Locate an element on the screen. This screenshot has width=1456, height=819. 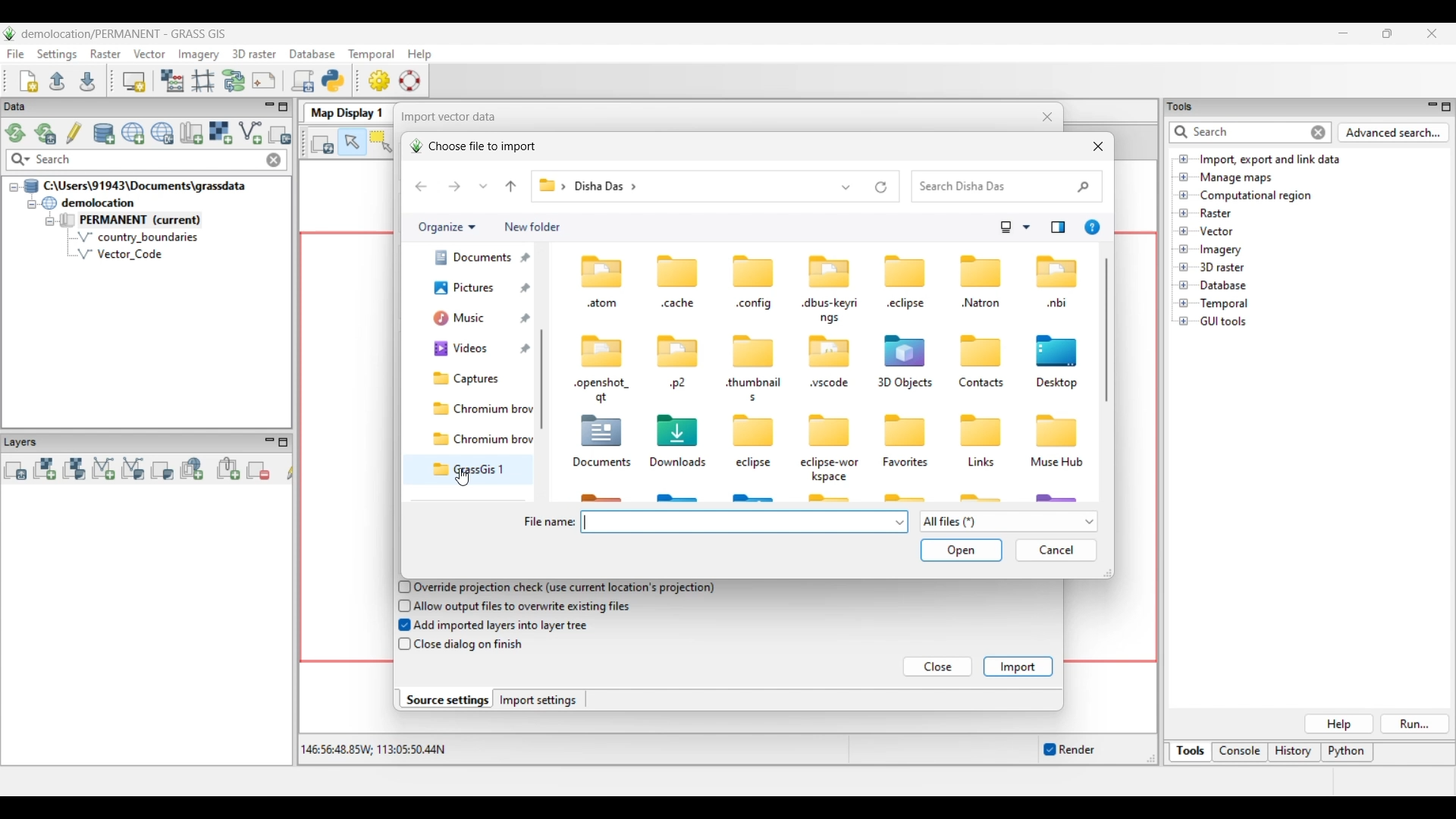
Quick slide to bottom is located at coordinates (541, 494).